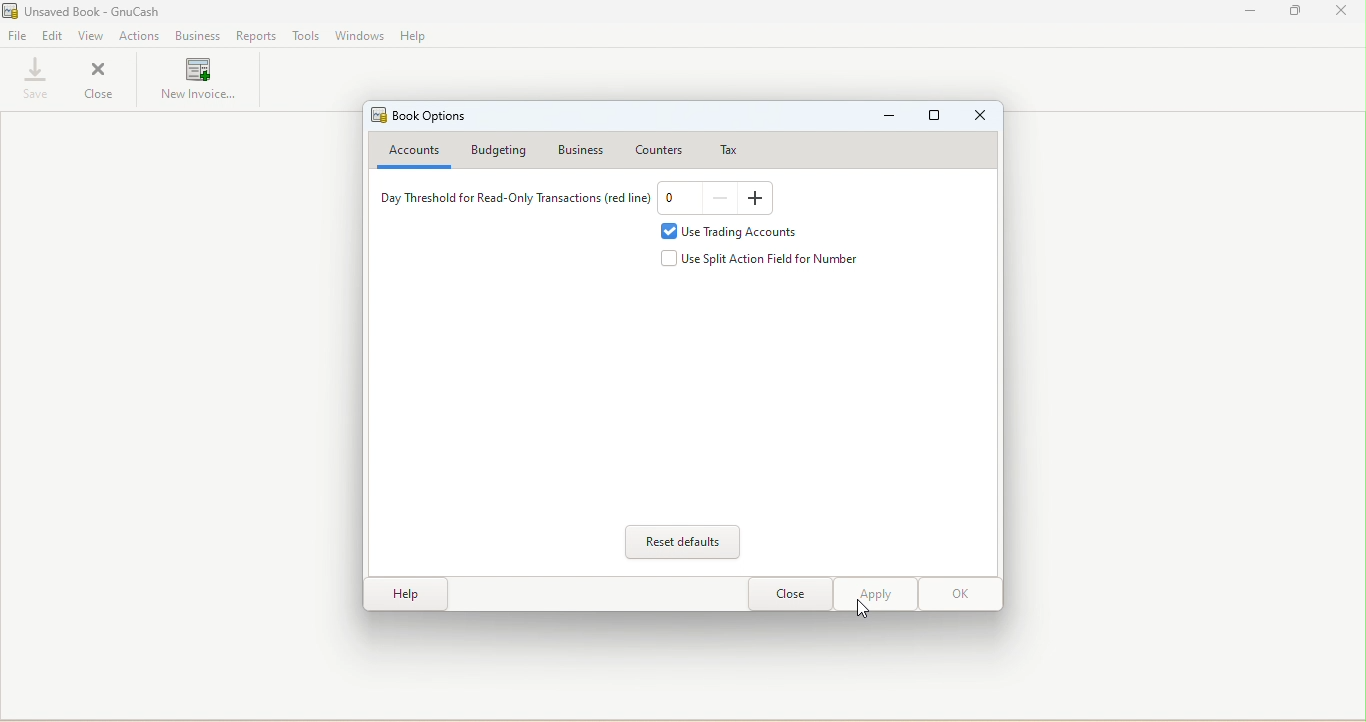 This screenshot has width=1366, height=722. Describe the element at coordinates (304, 36) in the screenshot. I see `Tools` at that location.